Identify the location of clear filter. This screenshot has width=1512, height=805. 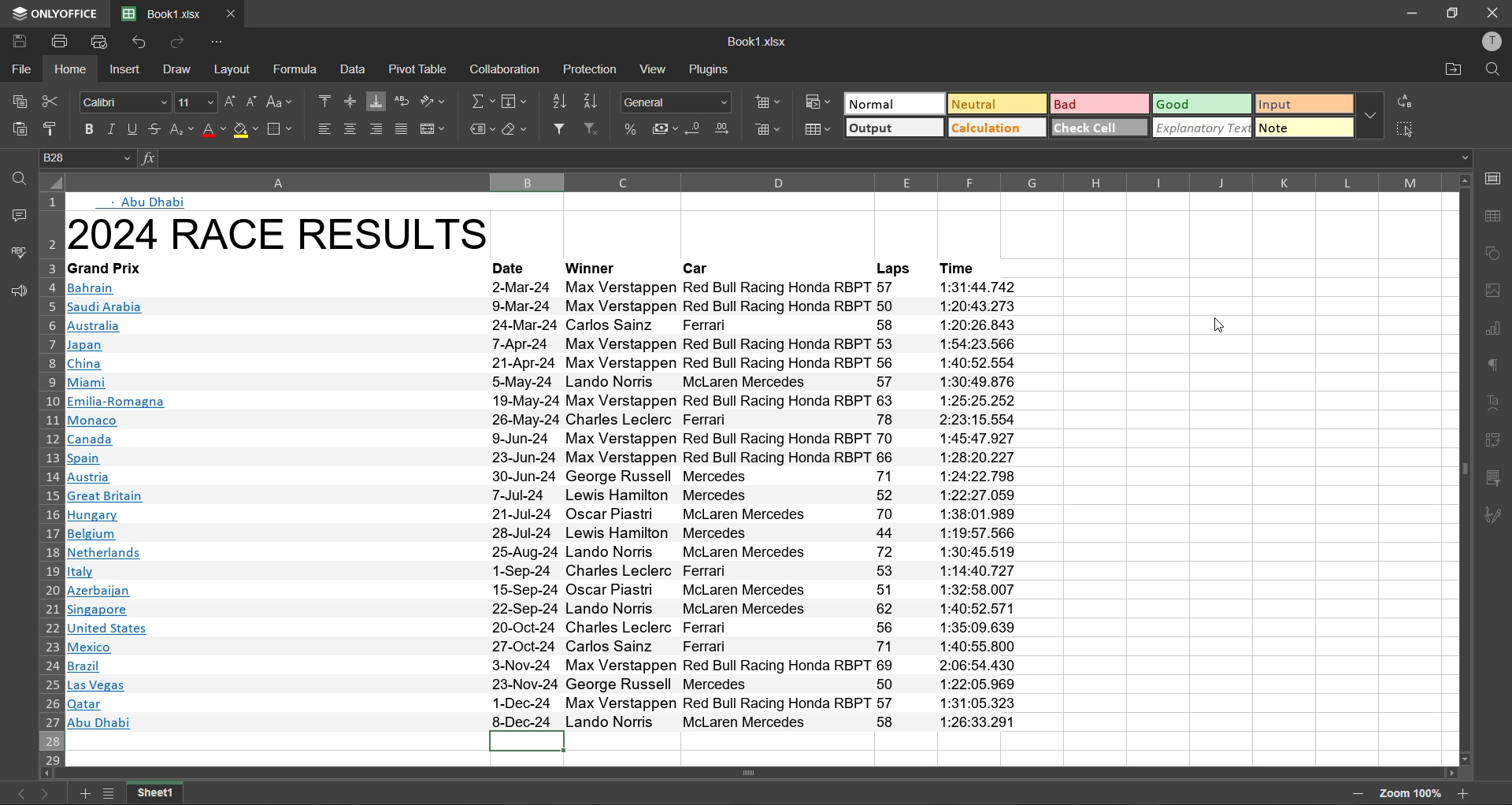
(595, 129).